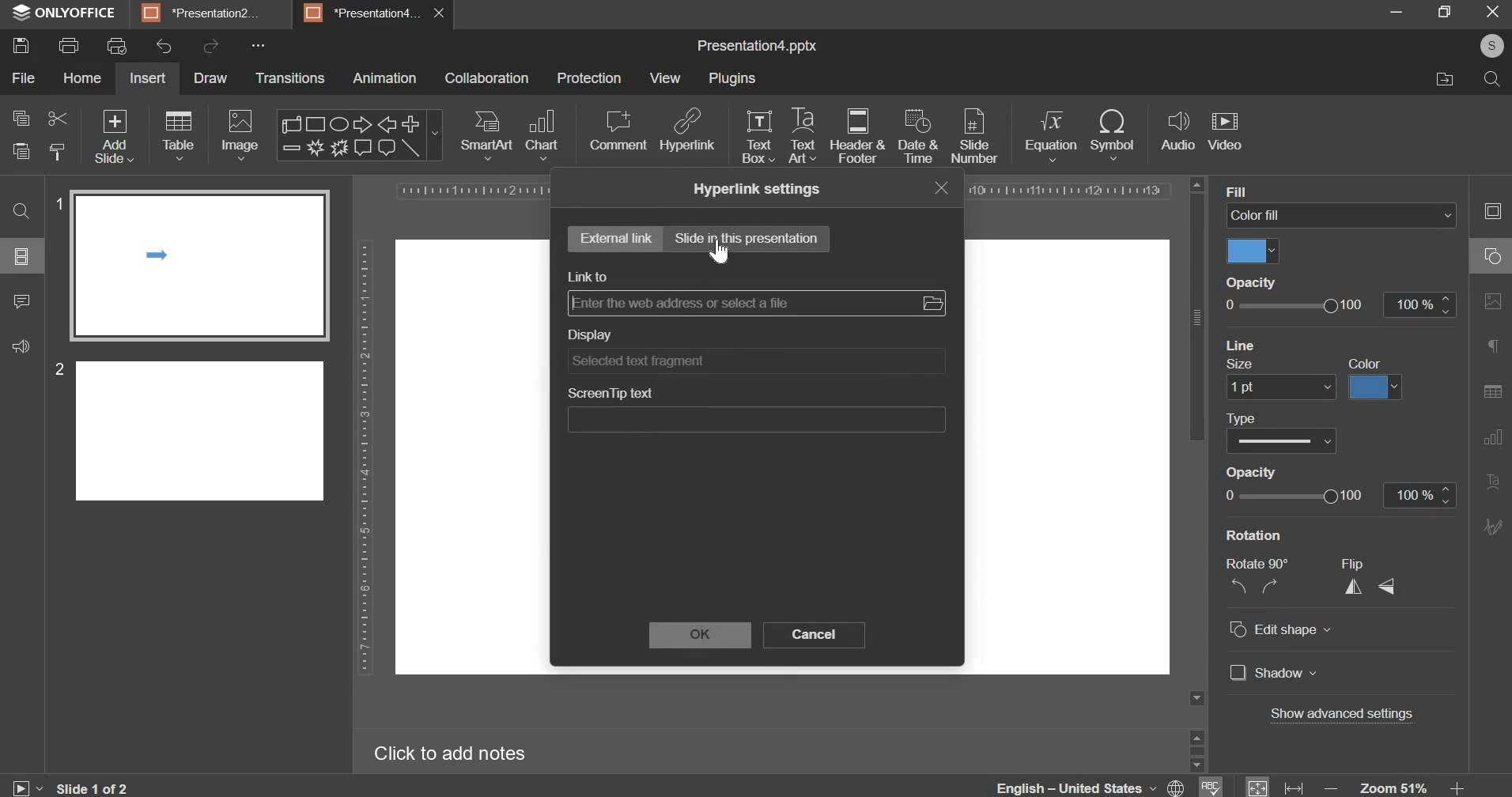 This screenshot has height=797, width=1512. I want to click on CO Show Date and, so click(1290, 441).